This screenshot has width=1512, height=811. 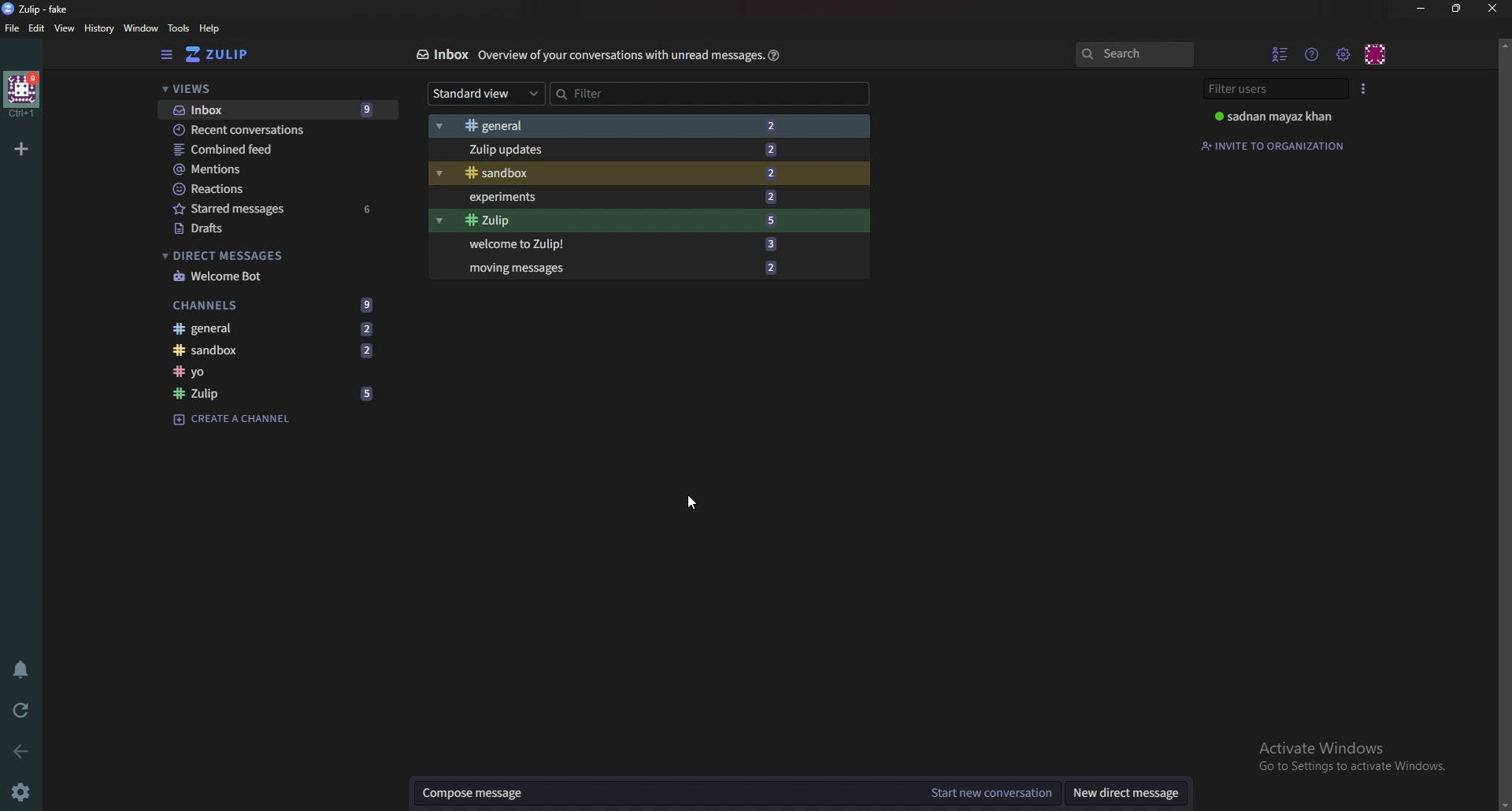 What do you see at coordinates (487, 94) in the screenshot?
I see `Standard view` at bounding box center [487, 94].